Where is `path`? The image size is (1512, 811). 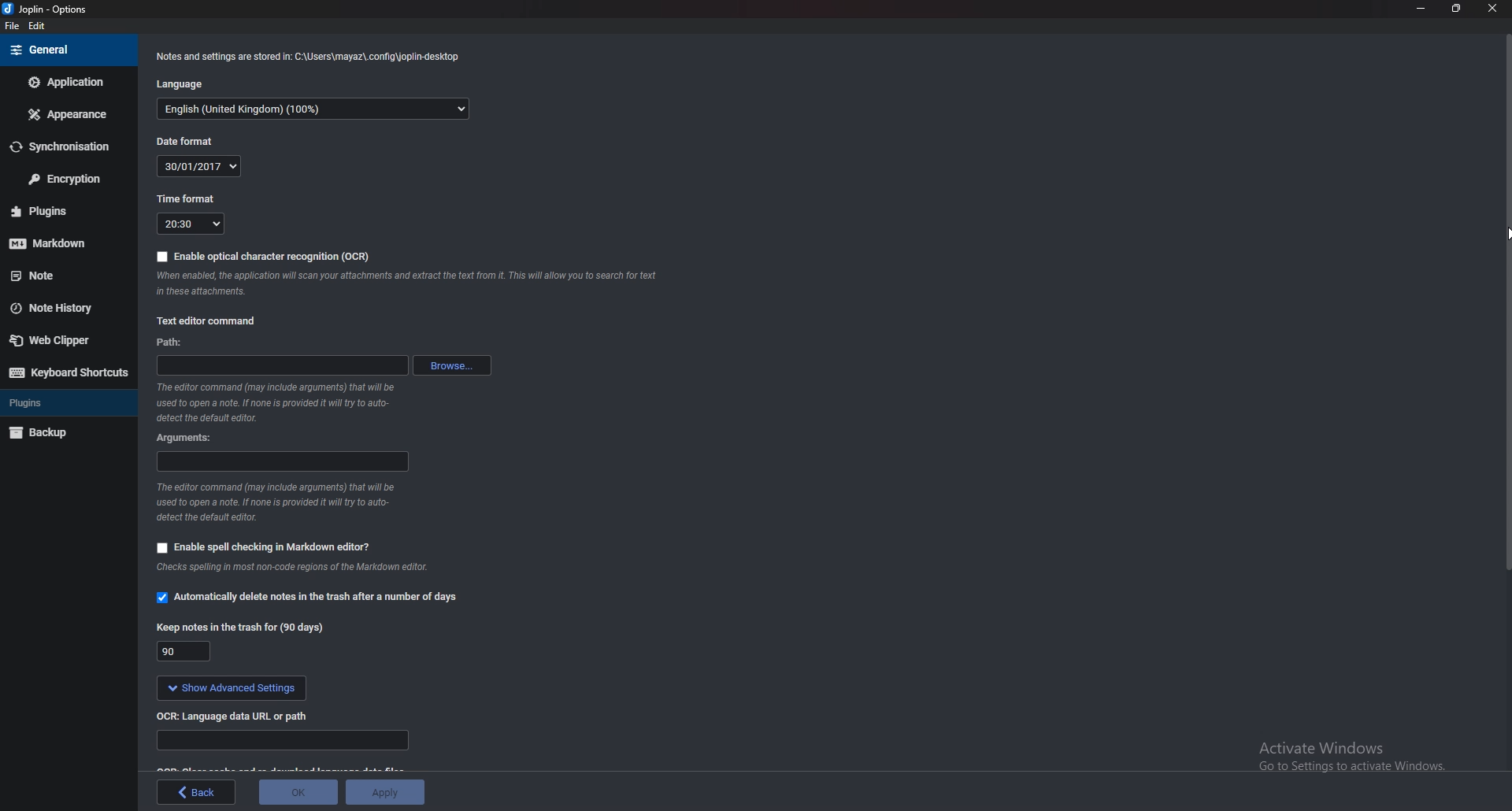
path is located at coordinates (175, 343).